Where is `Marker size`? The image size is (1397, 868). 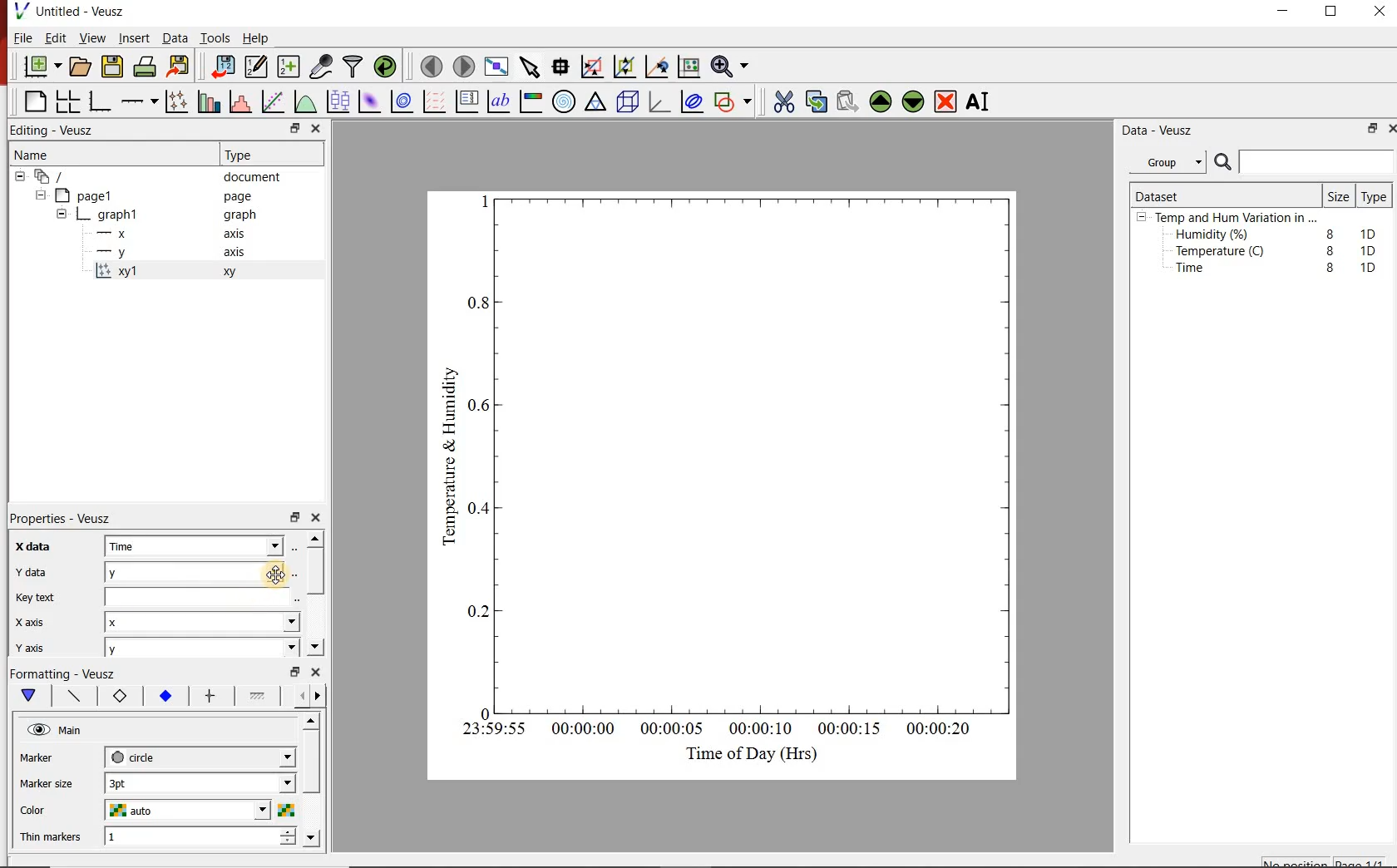
Marker size is located at coordinates (54, 782).